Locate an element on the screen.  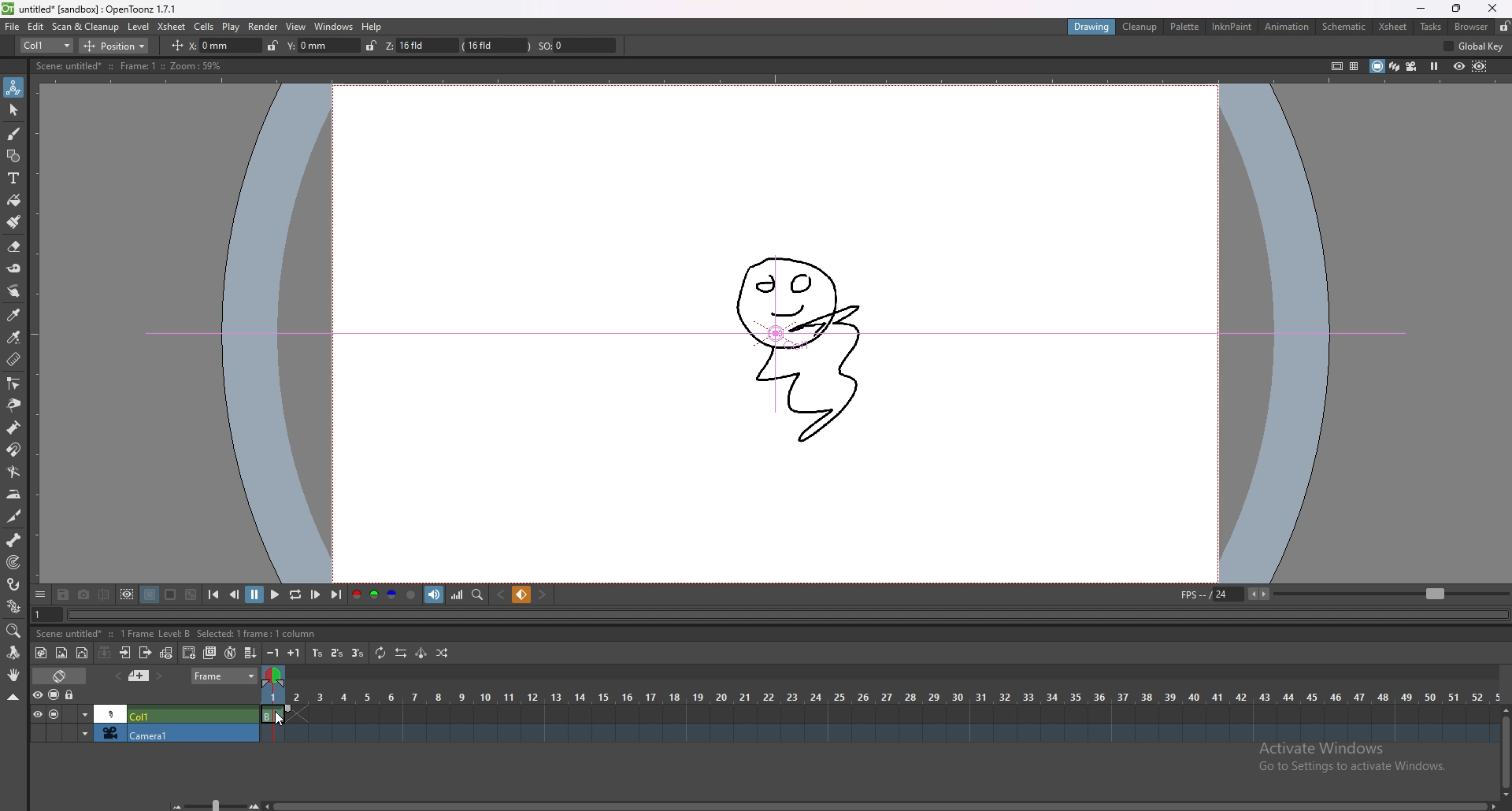
tasks is located at coordinates (1431, 26).